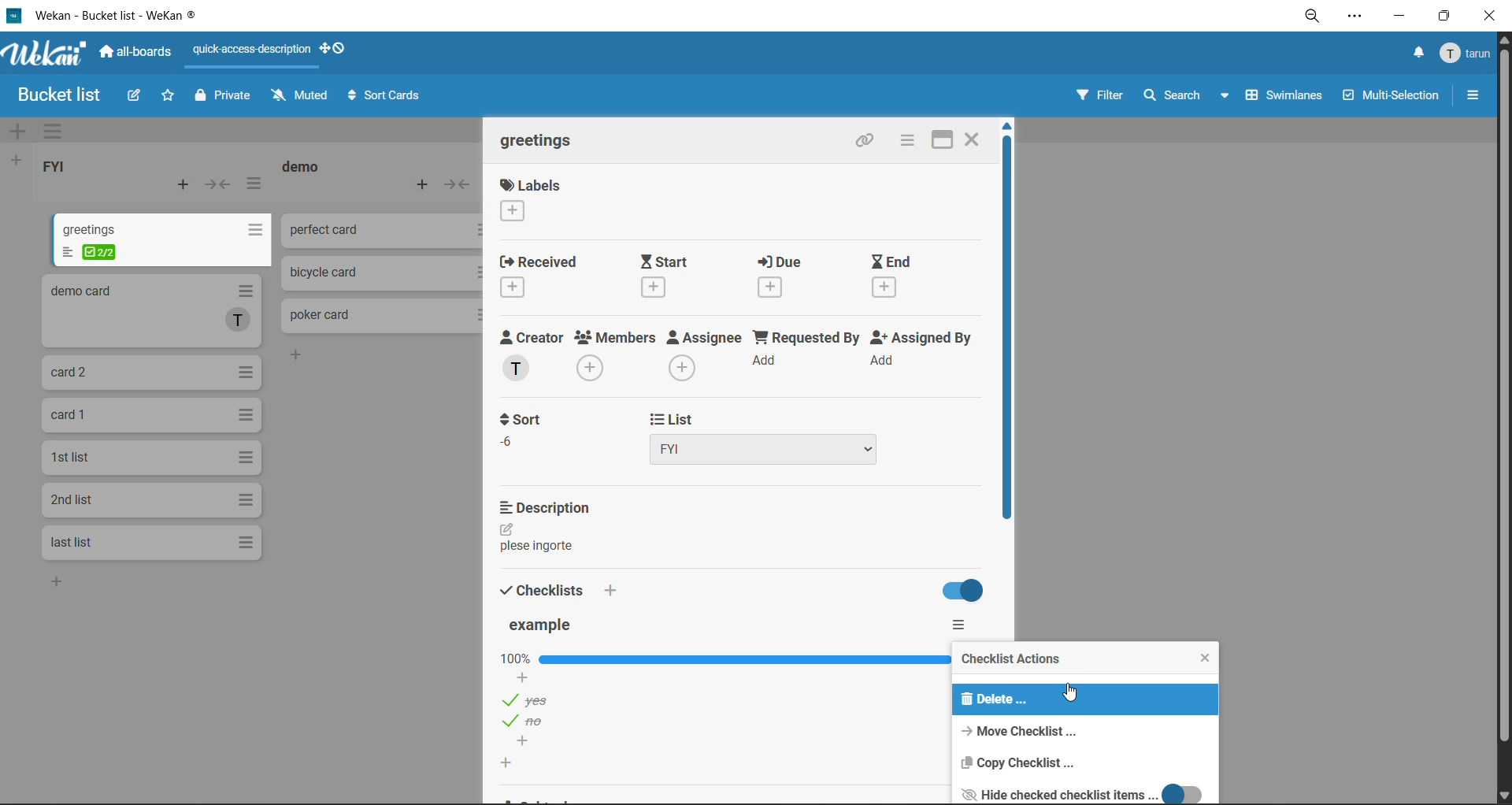 The height and width of the screenshot is (805, 1512). What do you see at coordinates (809, 356) in the screenshot?
I see `requested by` at bounding box center [809, 356].